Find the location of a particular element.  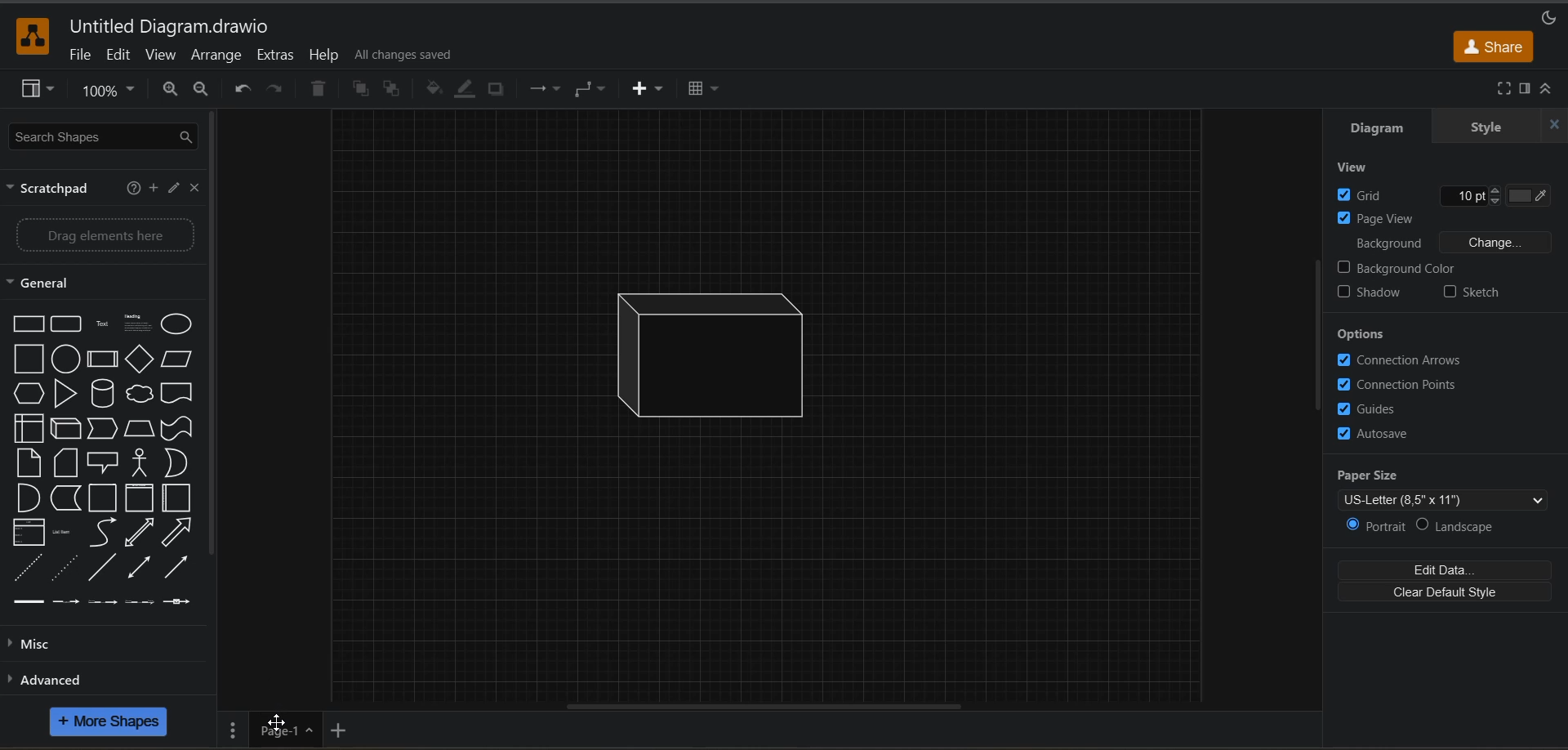

inserted shape is located at coordinates (718, 353).